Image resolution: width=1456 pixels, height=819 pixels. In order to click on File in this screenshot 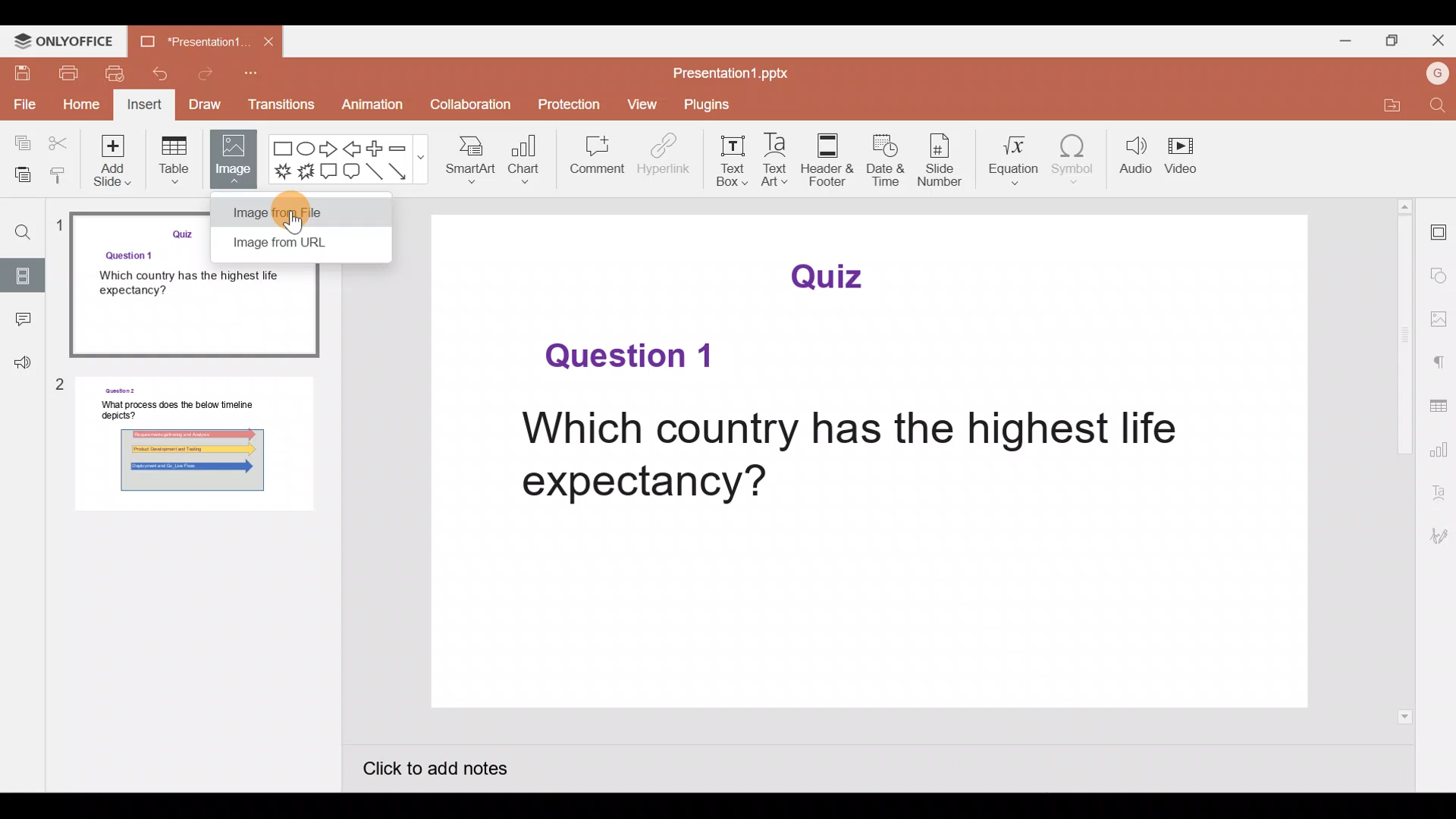, I will do `click(21, 104)`.